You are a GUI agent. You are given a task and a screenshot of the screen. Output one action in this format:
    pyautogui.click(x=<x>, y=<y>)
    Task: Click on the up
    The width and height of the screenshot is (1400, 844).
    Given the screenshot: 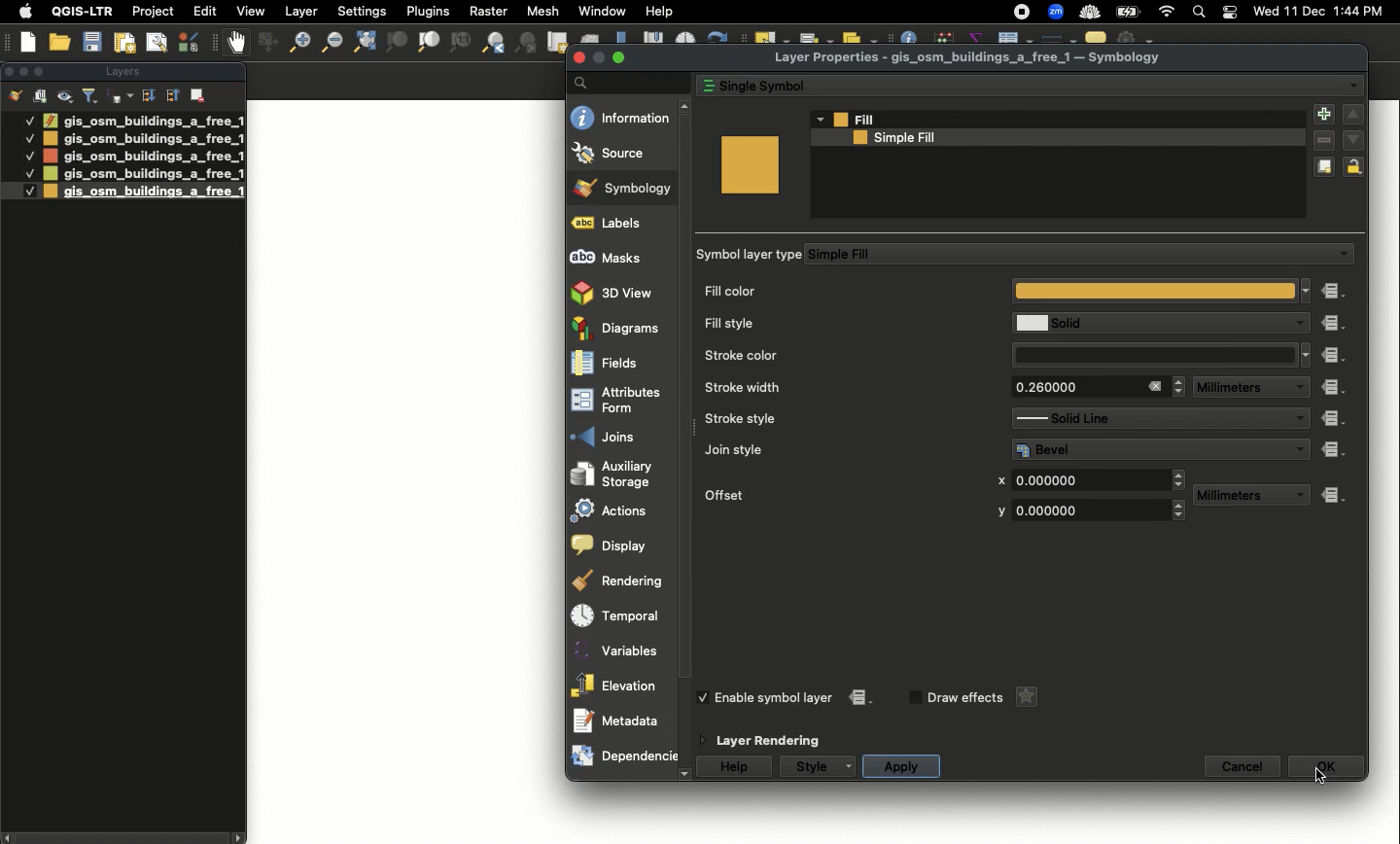 What is the action you would take?
    pyautogui.click(x=1353, y=115)
    